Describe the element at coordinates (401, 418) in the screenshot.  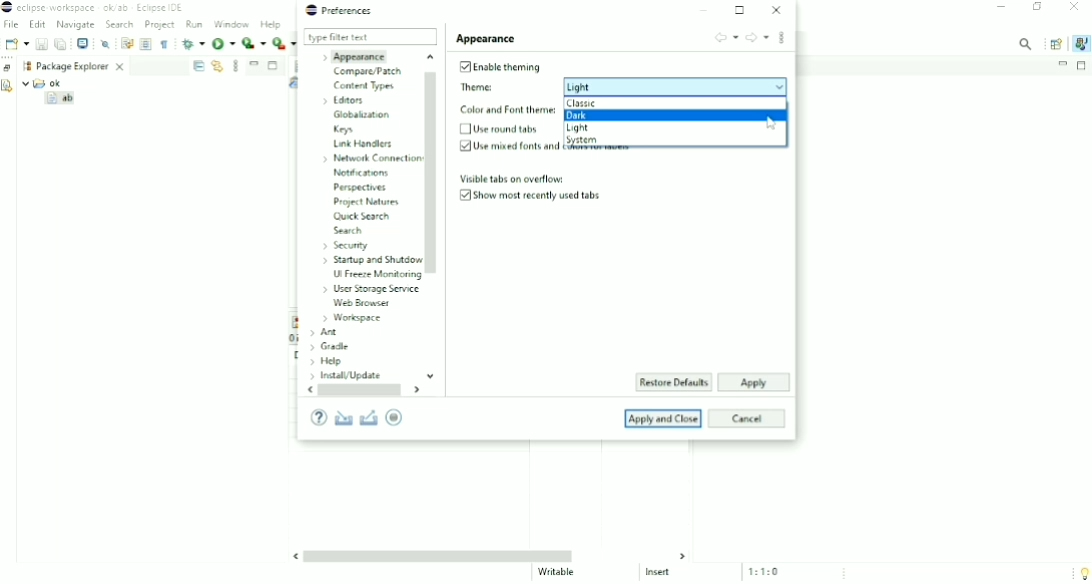
I see `Oomph preference recorder` at that location.